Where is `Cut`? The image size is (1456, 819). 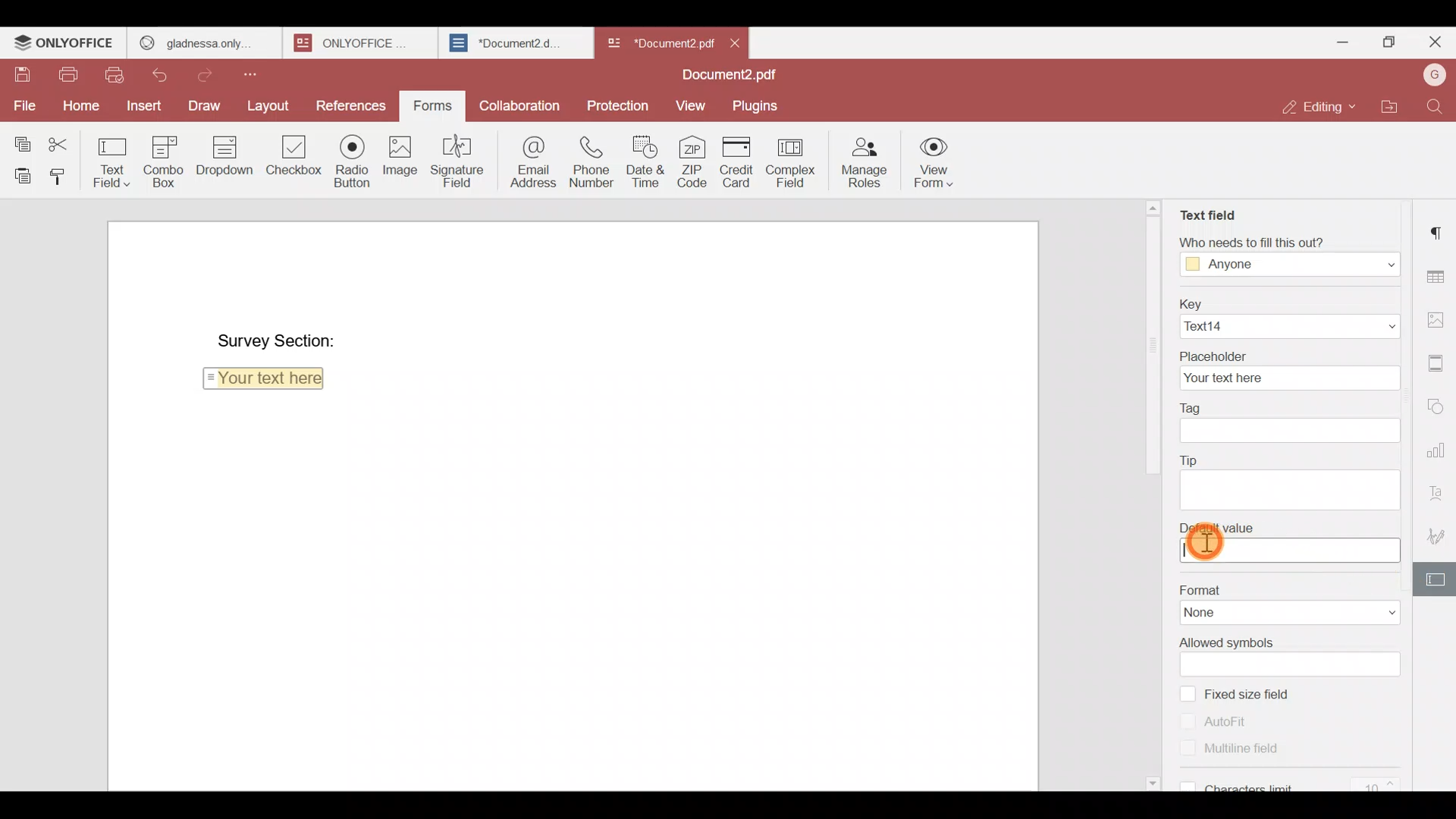
Cut is located at coordinates (64, 140).